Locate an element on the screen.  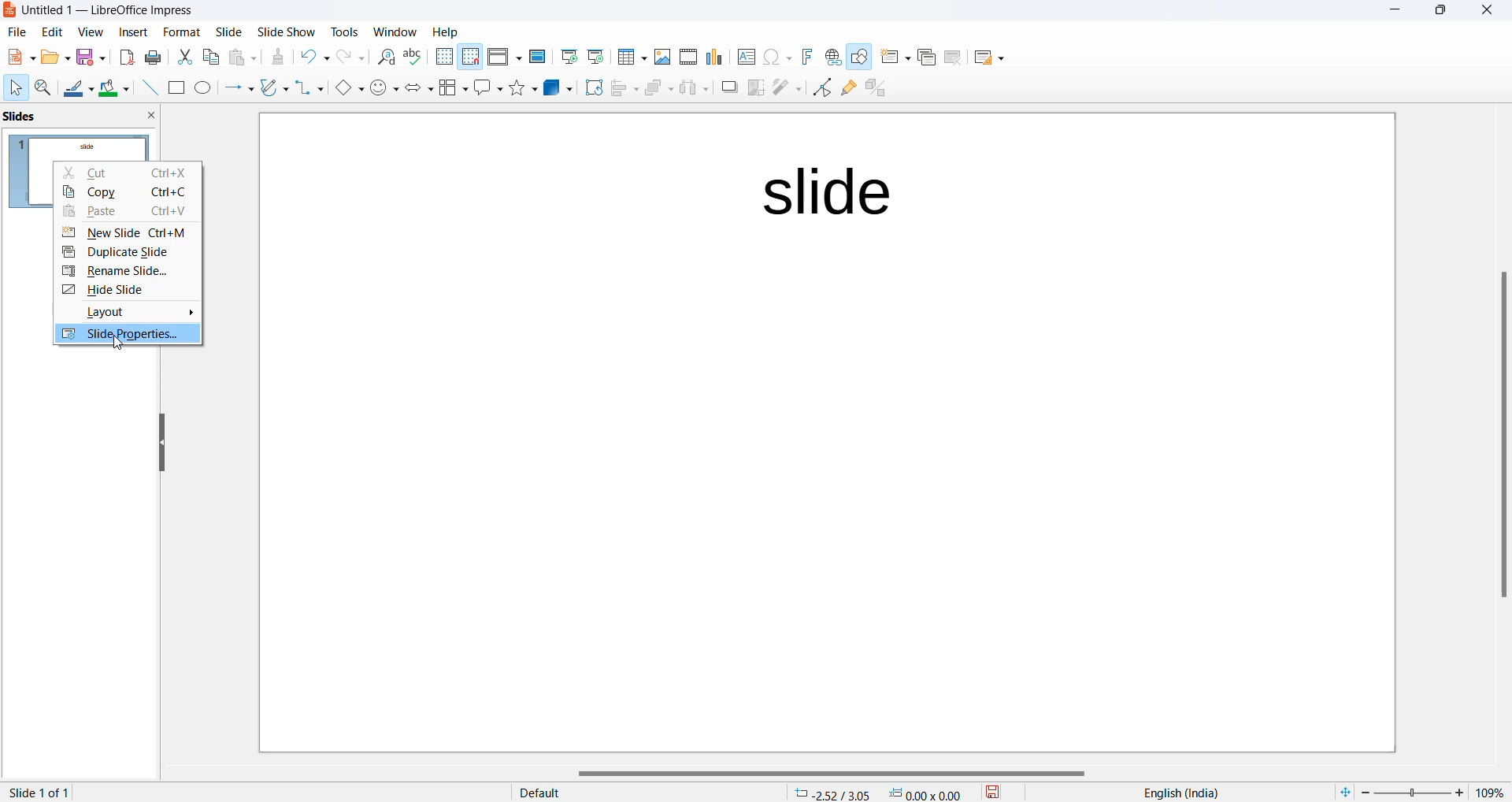
display view is located at coordinates (505, 58).